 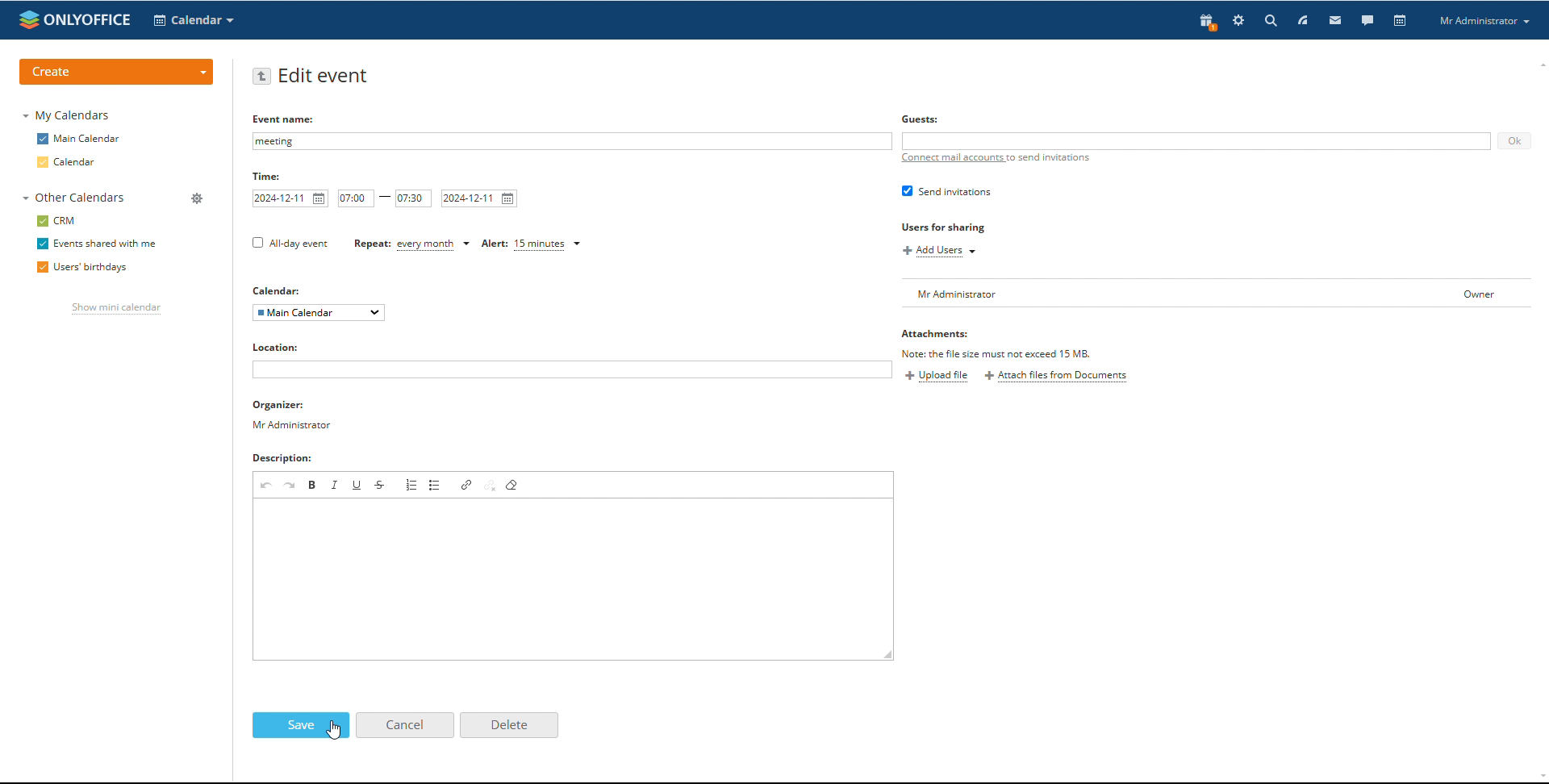 I want to click on add description, so click(x=574, y=579).